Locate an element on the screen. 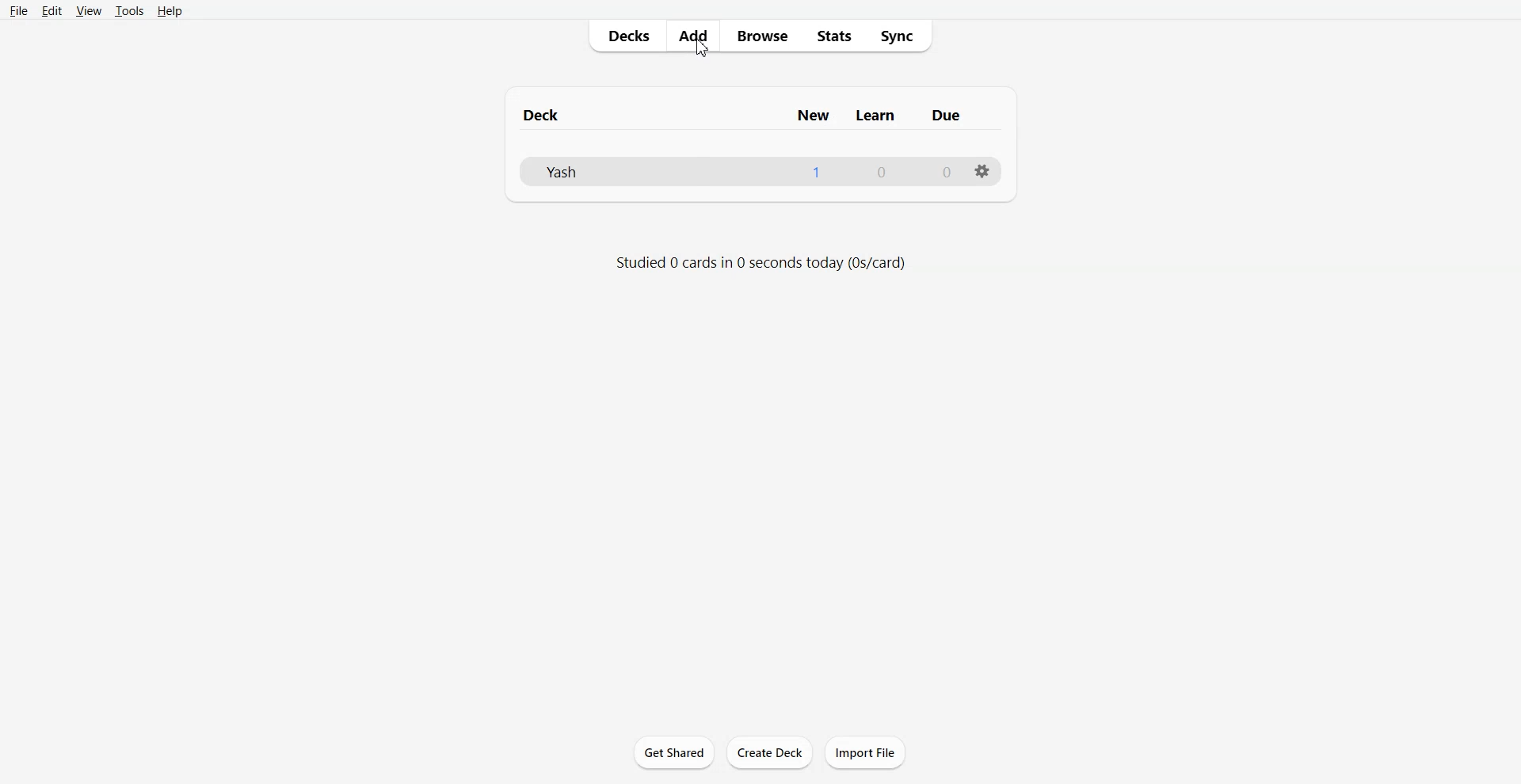 This screenshot has width=1521, height=784. View is located at coordinates (88, 12).